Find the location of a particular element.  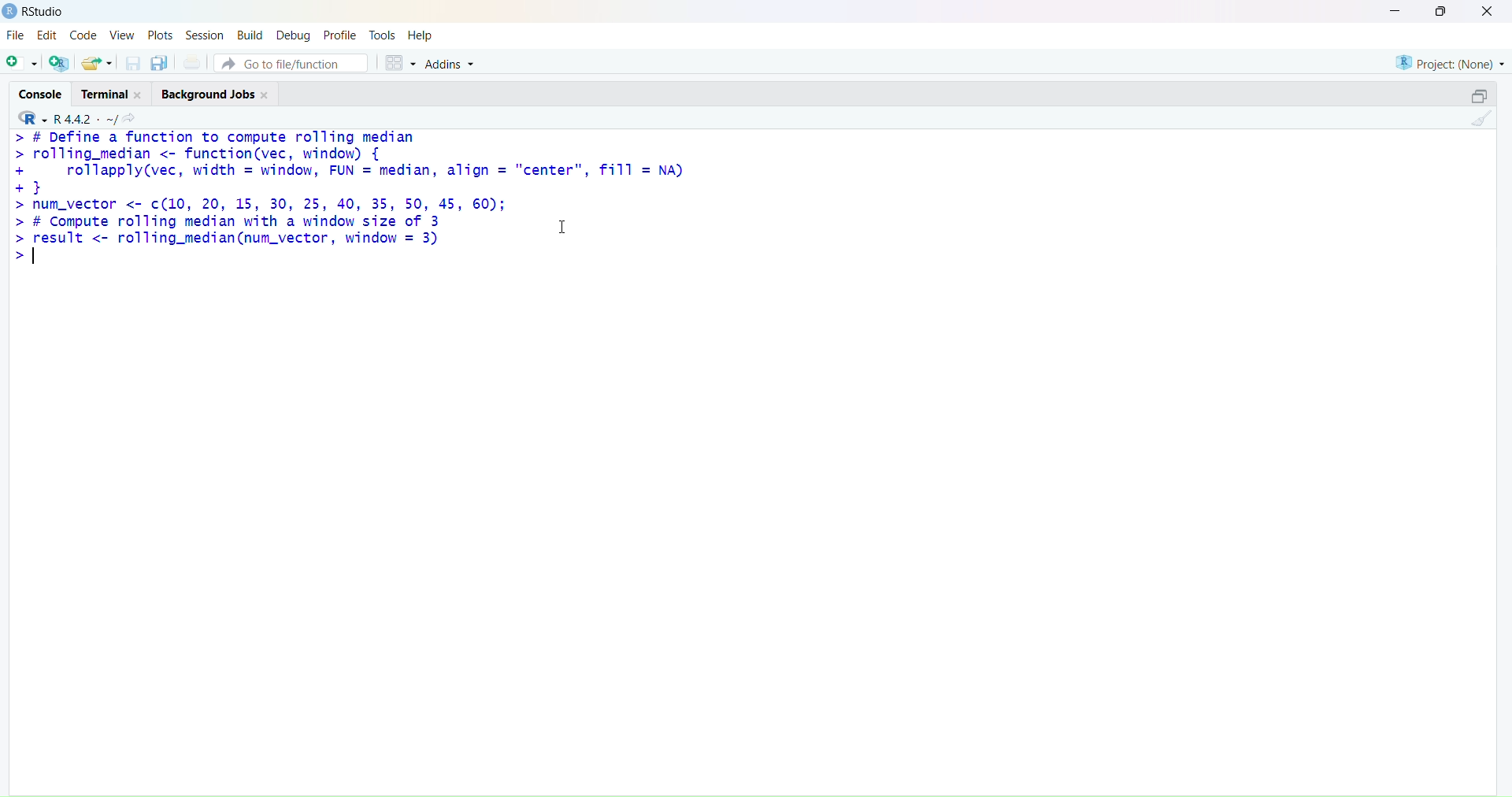

go to file/function is located at coordinates (293, 64).